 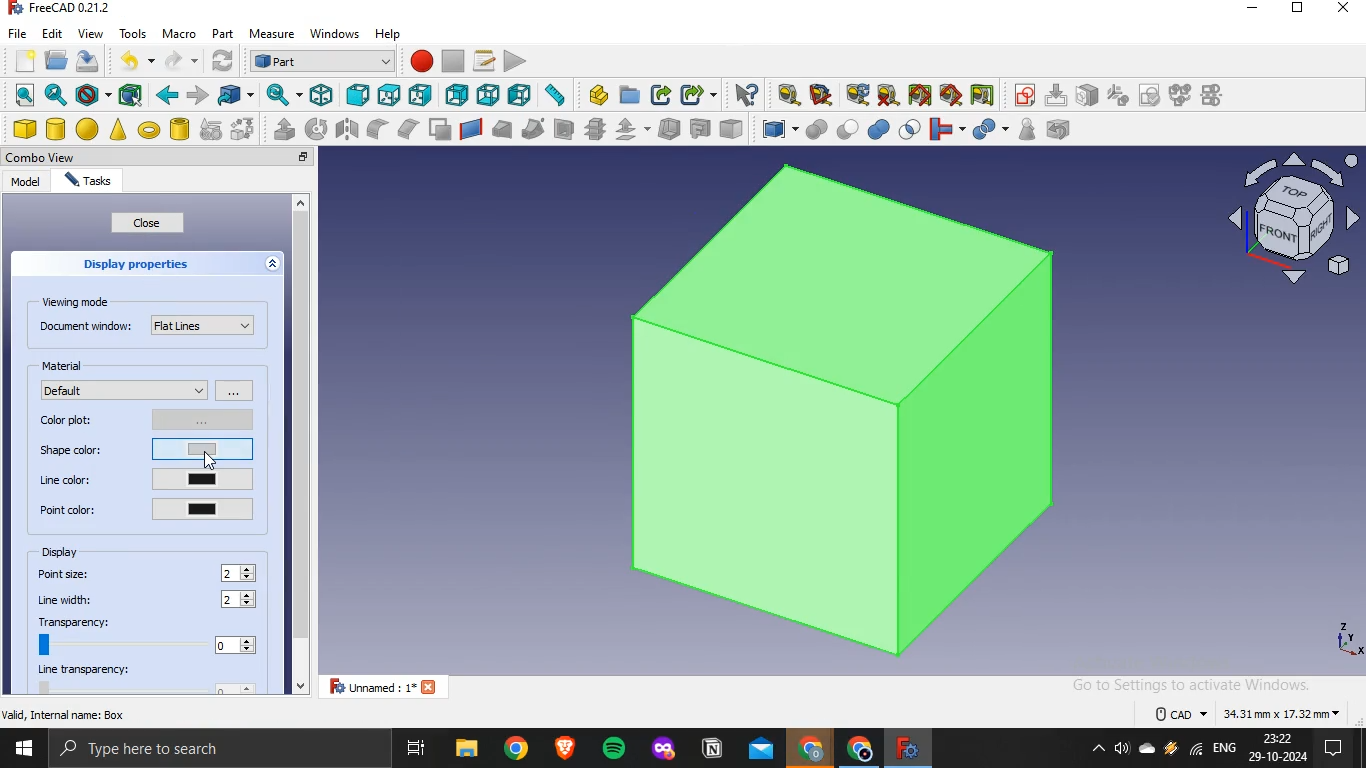 I want to click on brave, so click(x=565, y=747).